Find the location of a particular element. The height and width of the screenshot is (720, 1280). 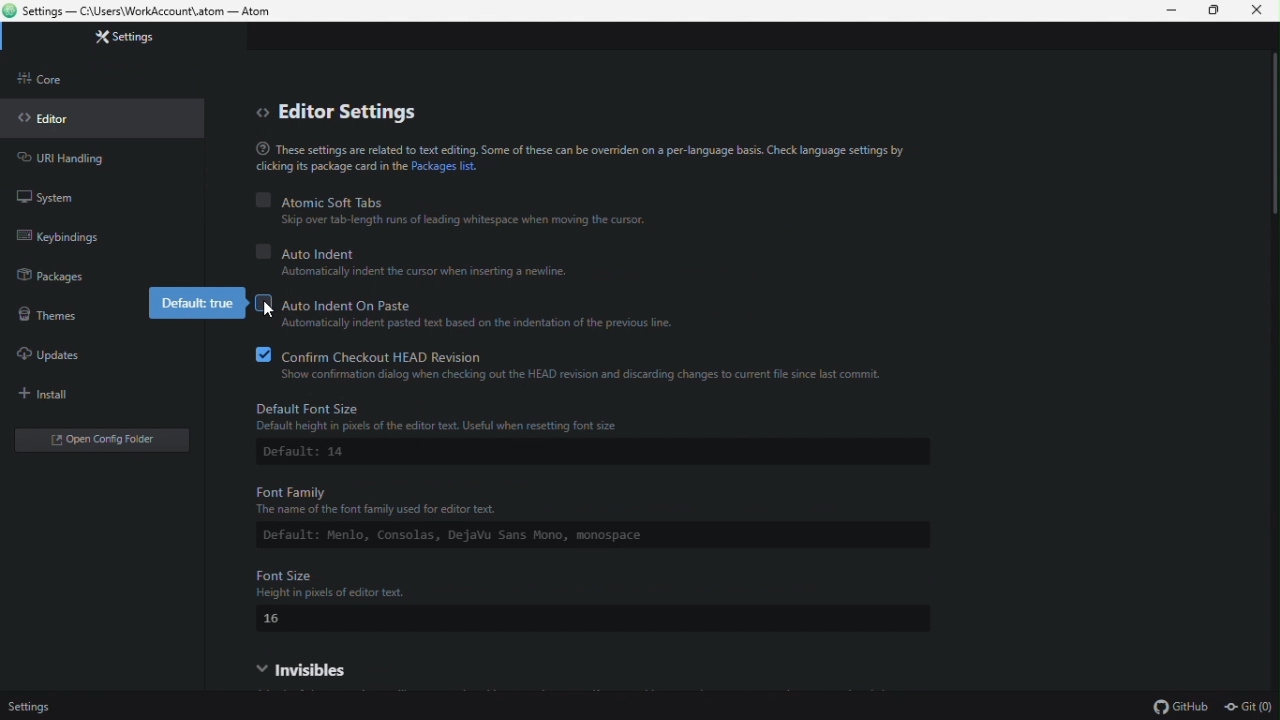

Close is located at coordinates (1258, 11).